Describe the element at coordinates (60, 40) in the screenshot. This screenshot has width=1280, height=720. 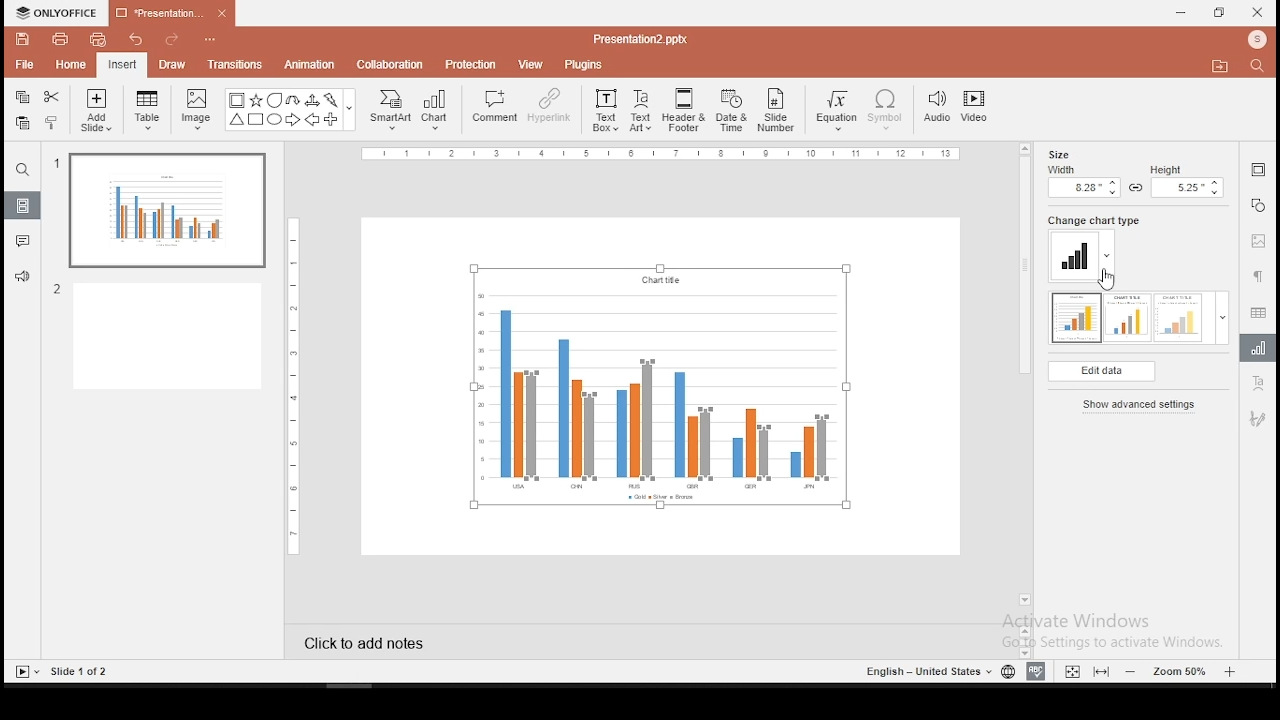
I see `print file` at that location.